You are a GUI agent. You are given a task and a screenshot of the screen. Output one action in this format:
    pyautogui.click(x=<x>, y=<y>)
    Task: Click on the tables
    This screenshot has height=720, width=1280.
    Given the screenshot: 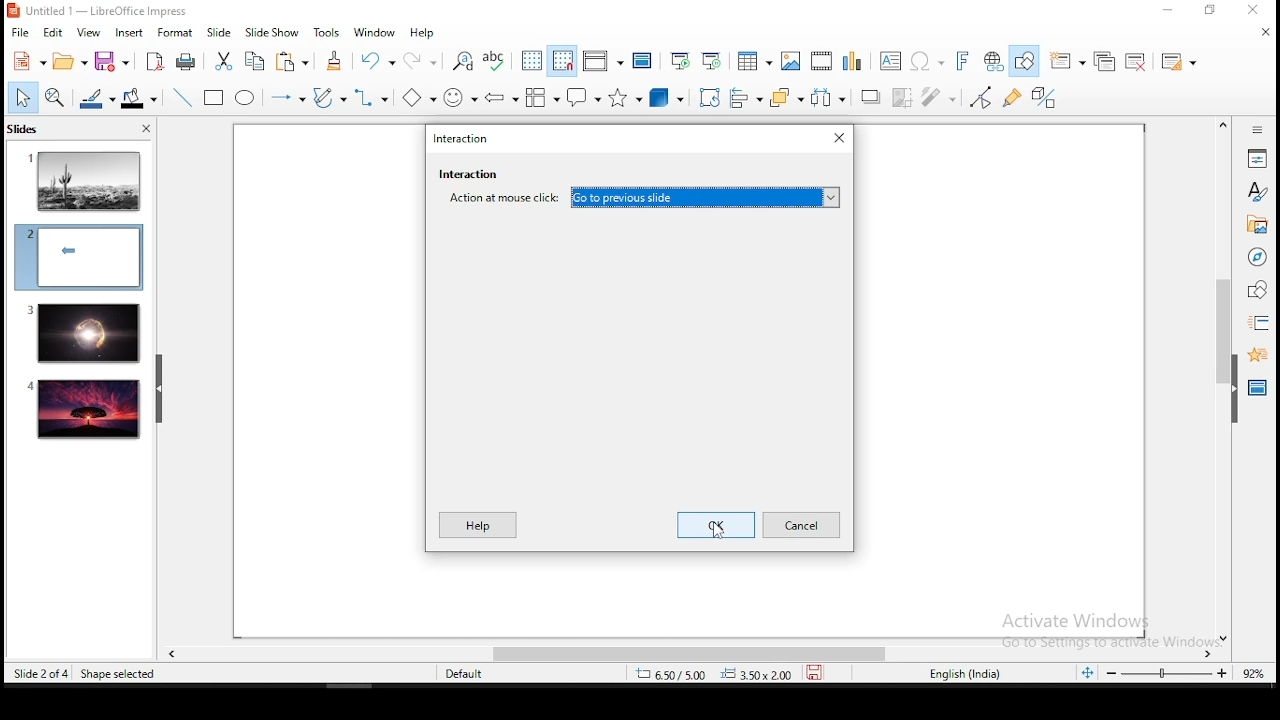 What is the action you would take?
    pyautogui.click(x=751, y=60)
    